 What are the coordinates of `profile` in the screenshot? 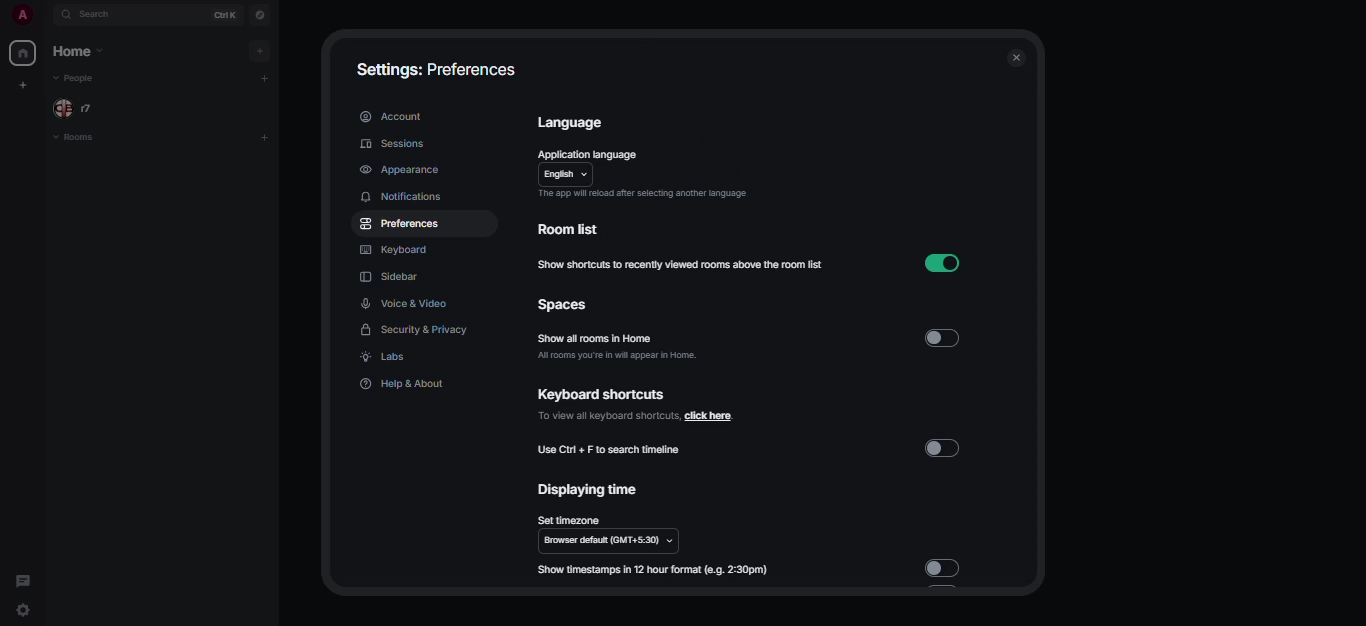 It's located at (22, 14).